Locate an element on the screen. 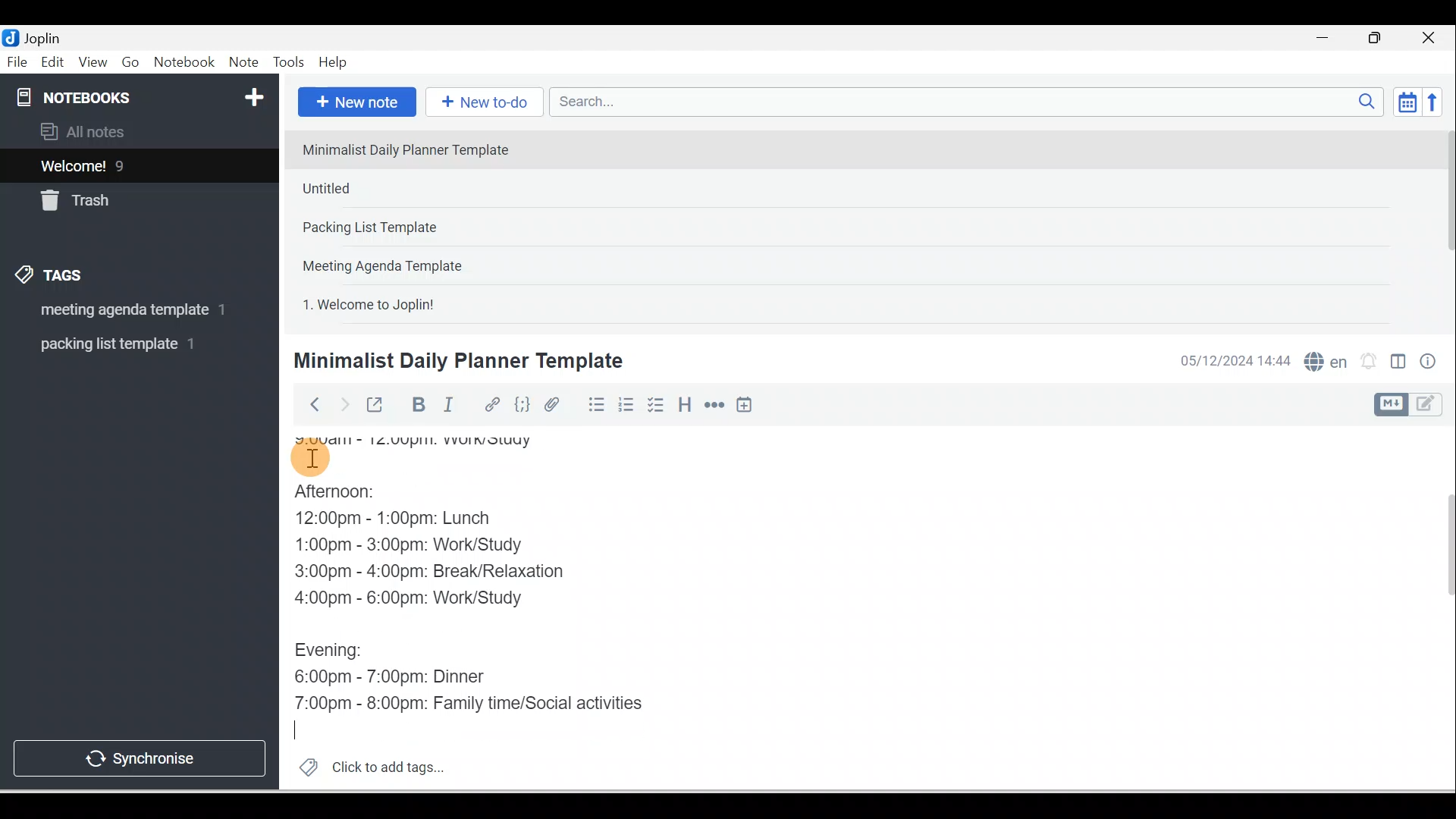  Note 2 is located at coordinates (401, 188).